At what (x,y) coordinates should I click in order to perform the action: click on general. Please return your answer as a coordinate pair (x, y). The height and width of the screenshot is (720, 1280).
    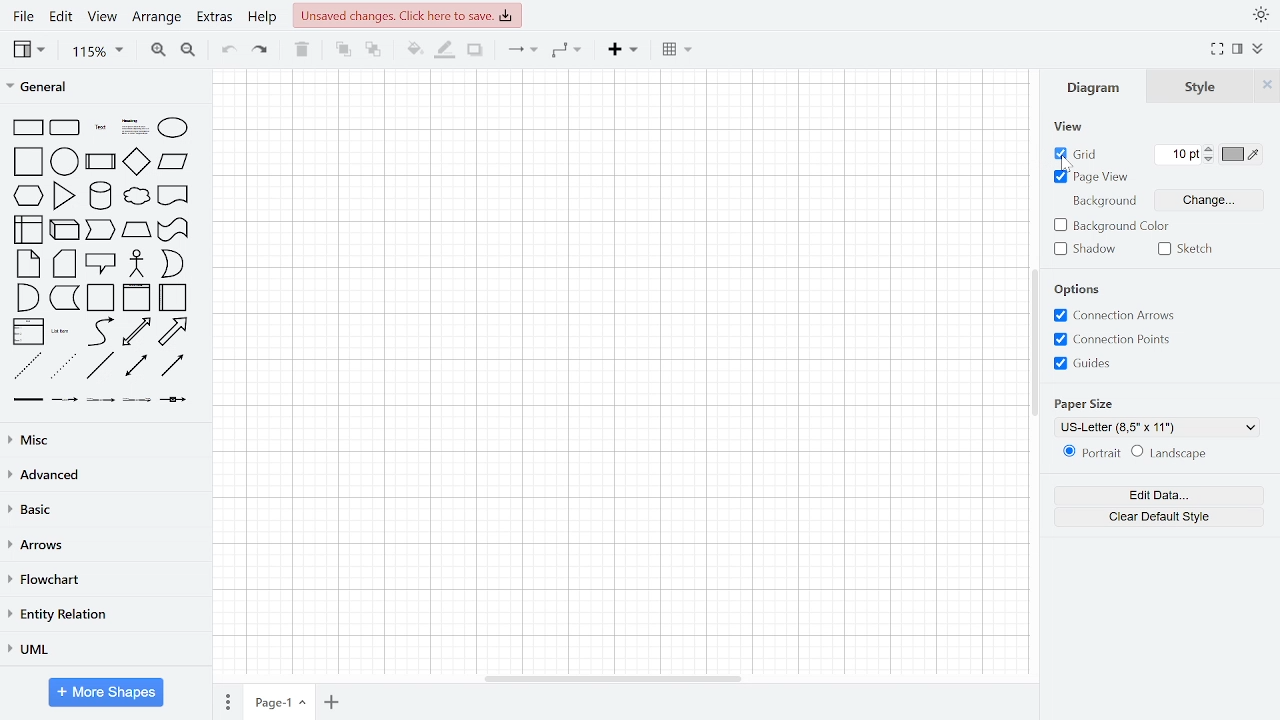
    Looking at the image, I should click on (95, 86).